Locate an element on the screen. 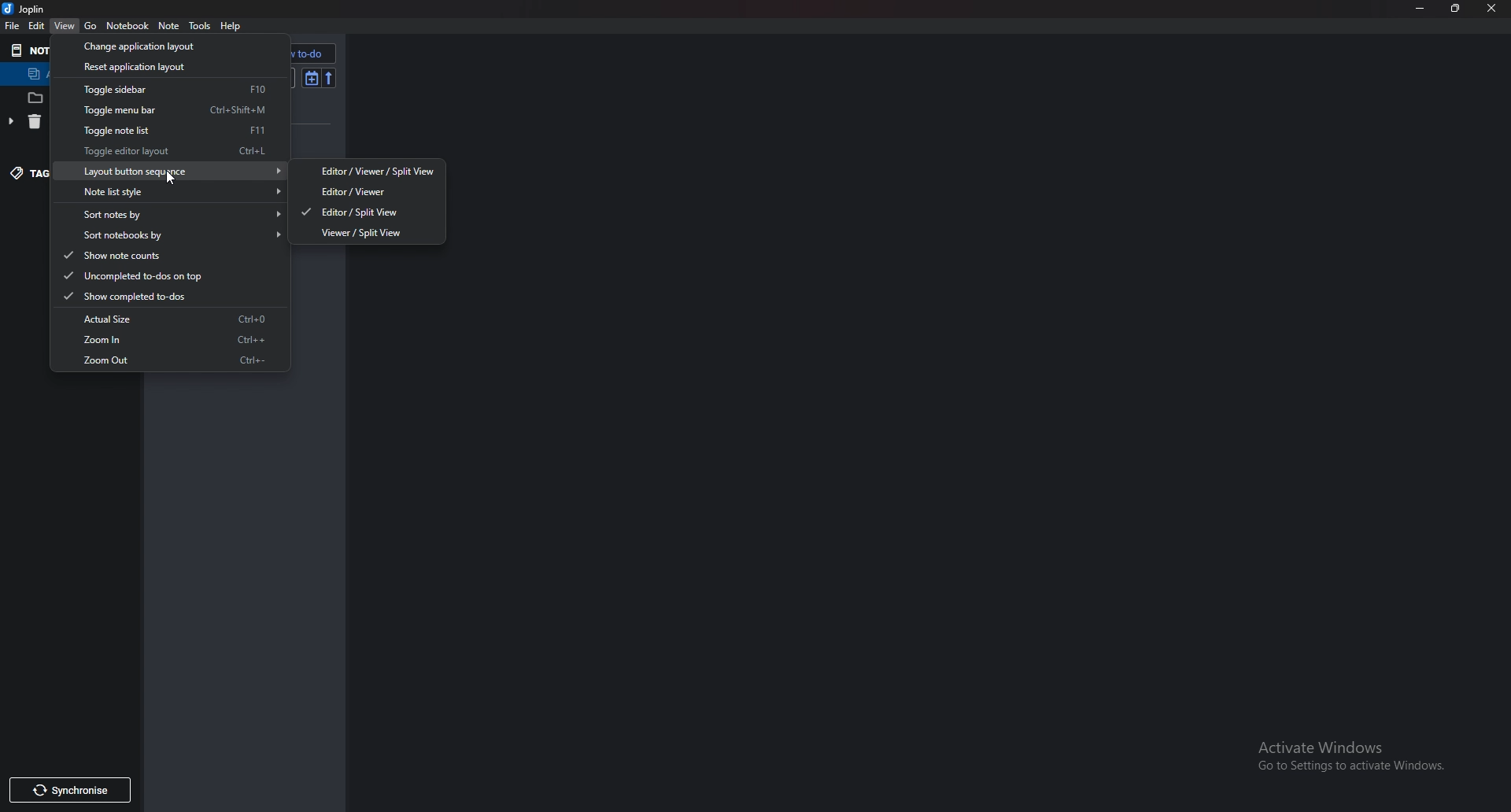 Image resolution: width=1511 pixels, height=812 pixels. Synchronize is located at coordinates (65, 789).